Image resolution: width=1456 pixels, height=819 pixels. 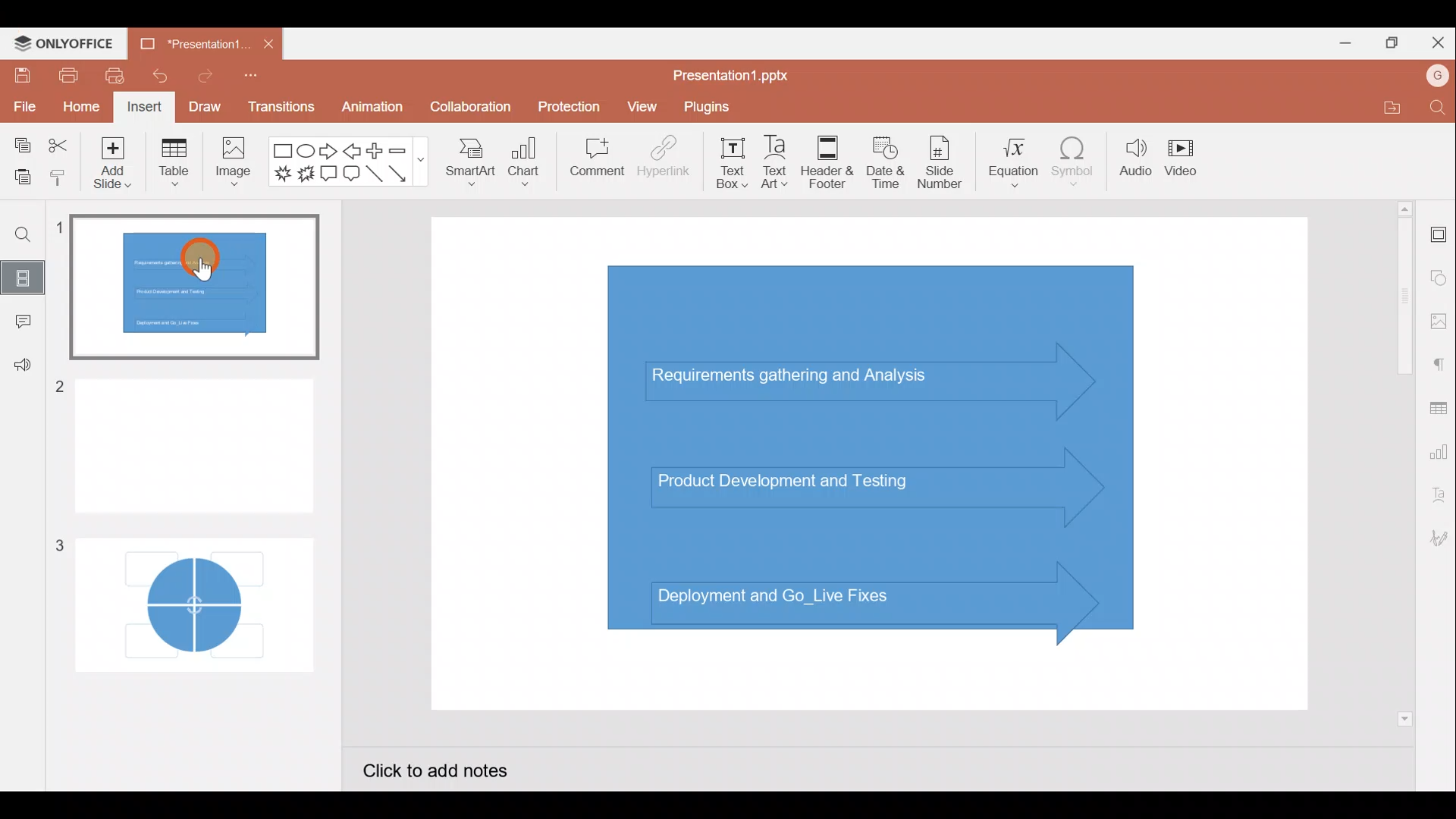 I want to click on Plugins, so click(x=714, y=108).